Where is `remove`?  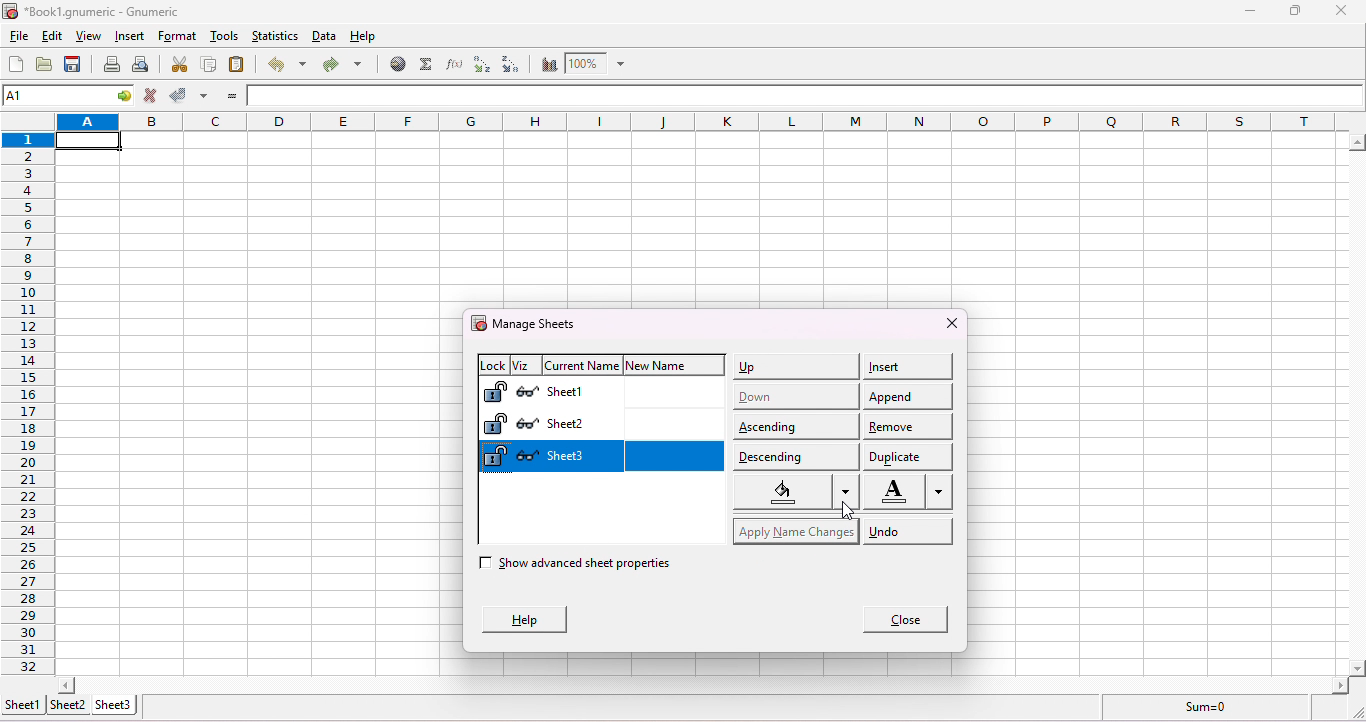 remove is located at coordinates (911, 424).